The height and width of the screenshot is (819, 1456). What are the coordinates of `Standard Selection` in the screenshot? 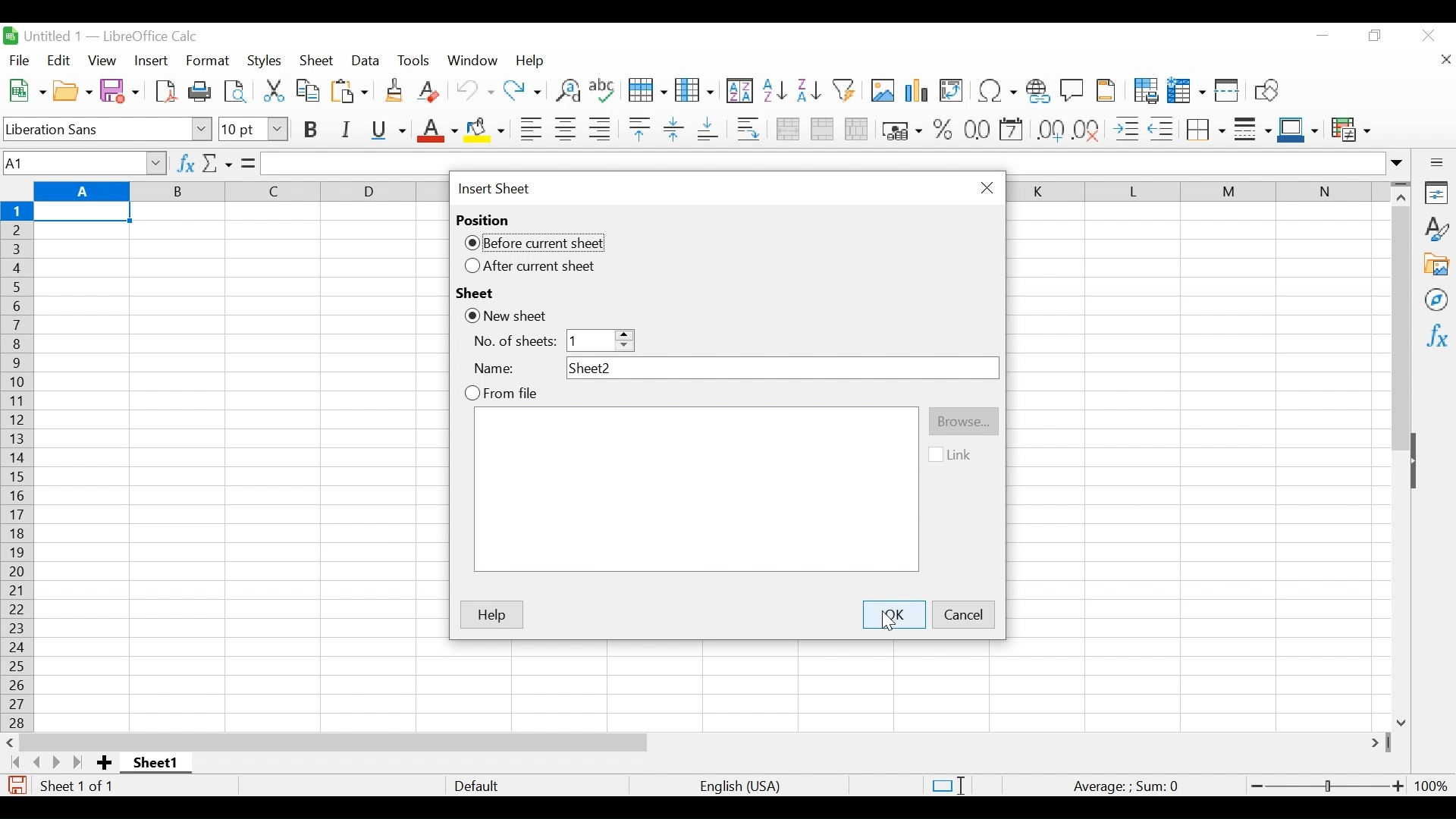 It's located at (950, 783).